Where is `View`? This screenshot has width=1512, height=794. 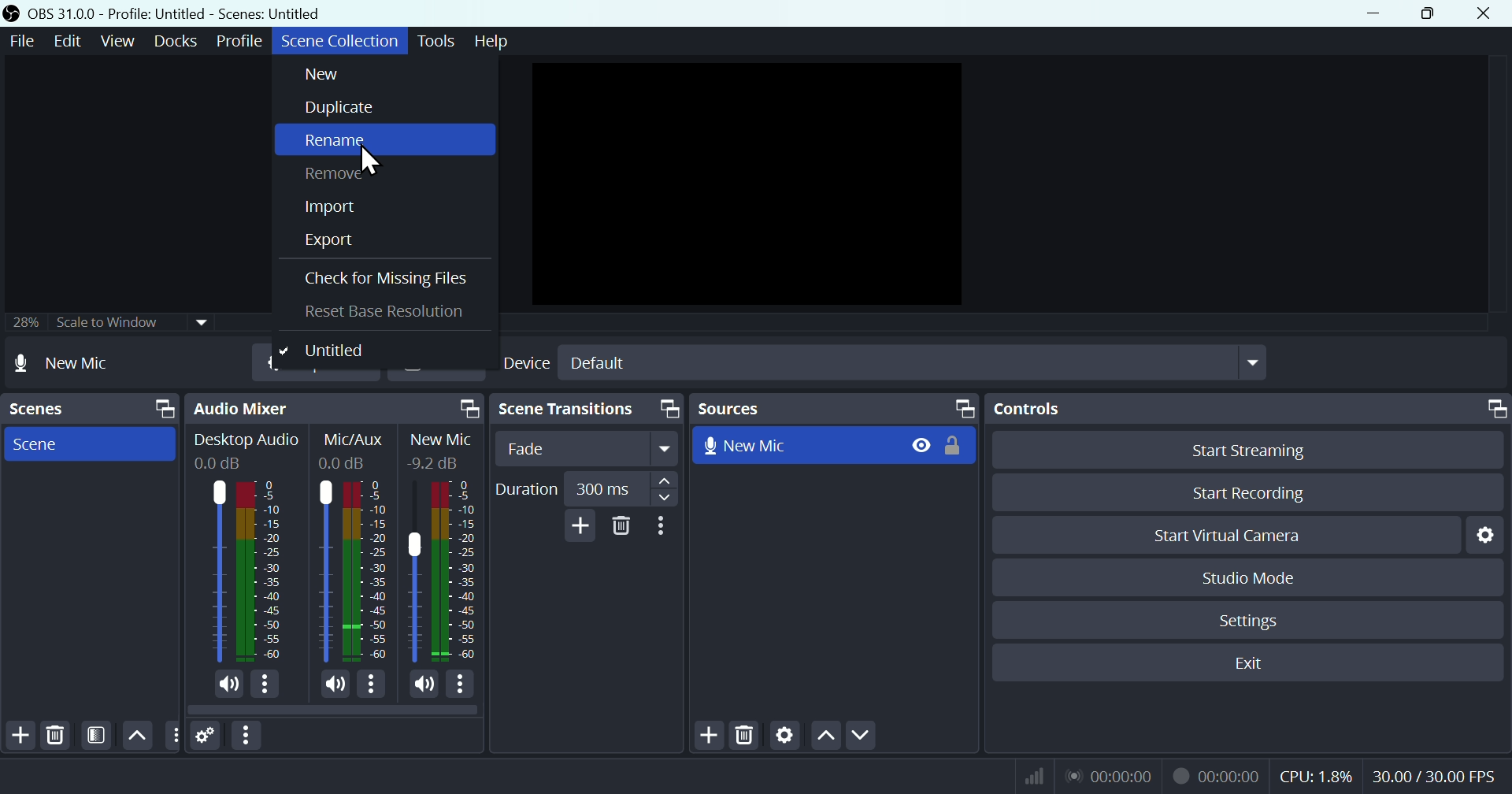
View is located at coordinates (113, 45).